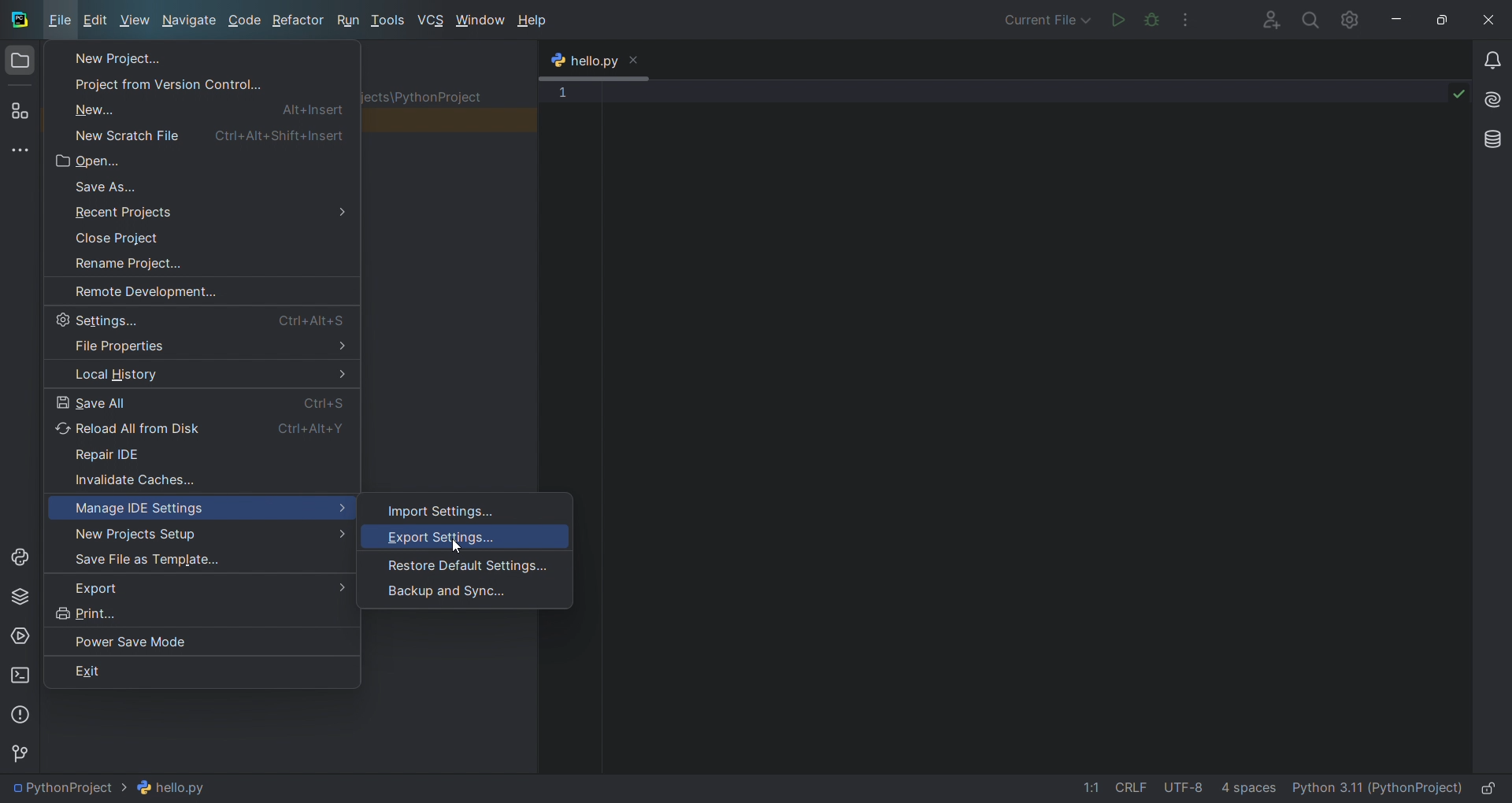  Describe the element at coordinates (1492, 62) in the screenshot. I see `notifications` at that location.